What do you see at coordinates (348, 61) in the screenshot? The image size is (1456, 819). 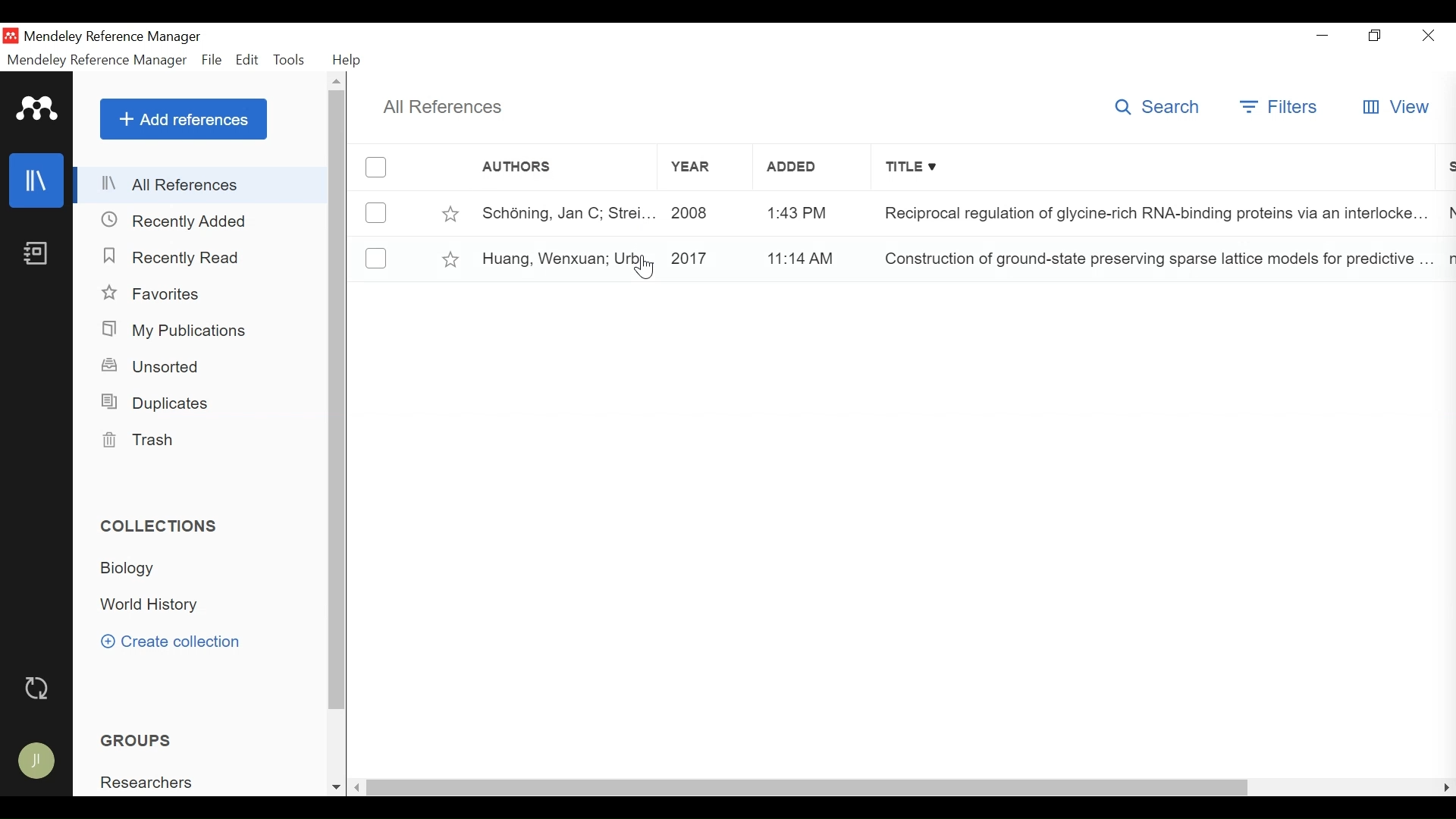 I see `Help` at bounding box center [348, 61].